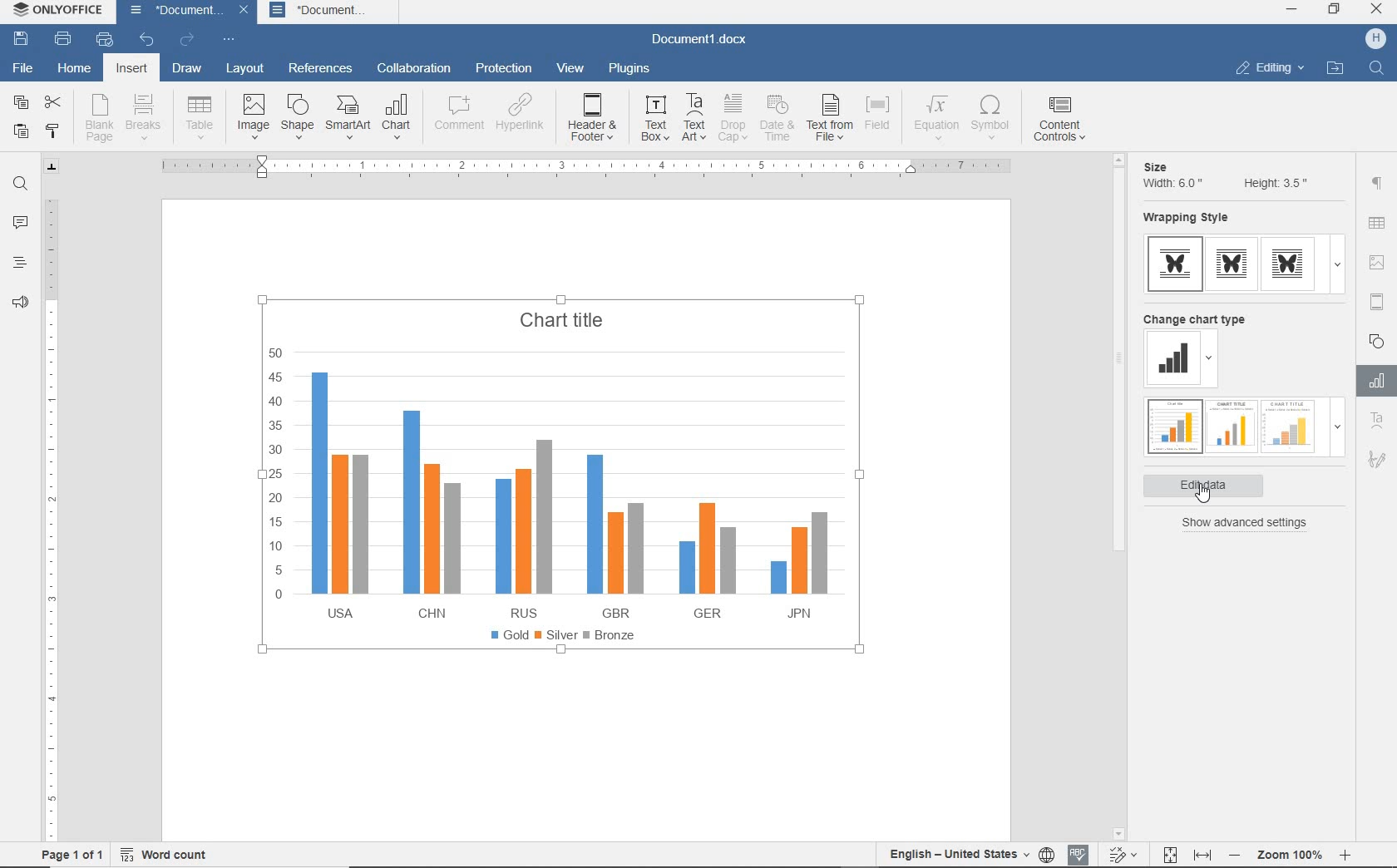  I want to click on spell check, so click(1079, 853).